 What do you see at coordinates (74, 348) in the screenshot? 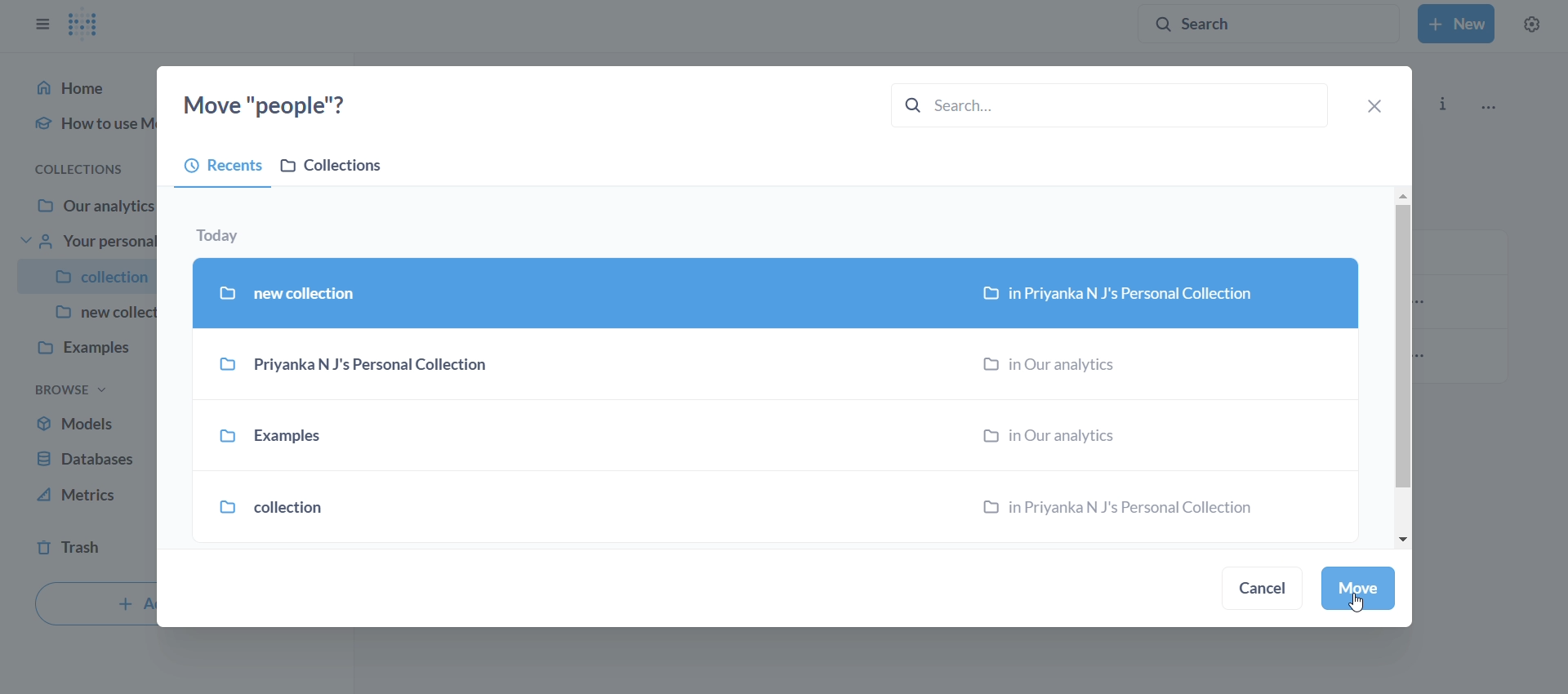
I see `examples` at bounding box center [74, 348].